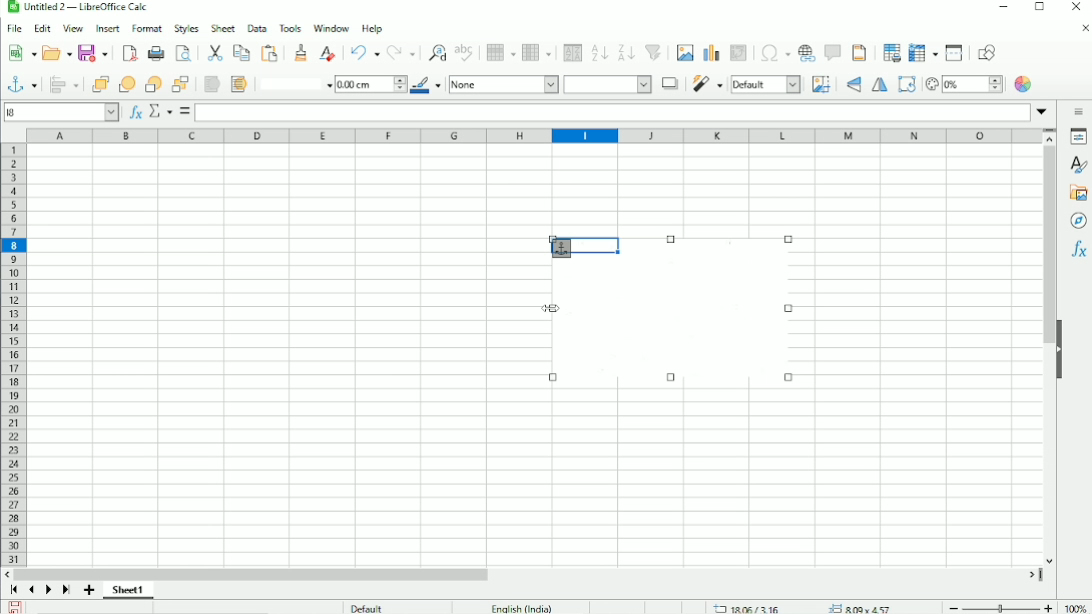 The image size is (1092, 614). What do you see at coordinates (499, 52) in the screenshot?
I see `Row` at bounding box center [499, 52].